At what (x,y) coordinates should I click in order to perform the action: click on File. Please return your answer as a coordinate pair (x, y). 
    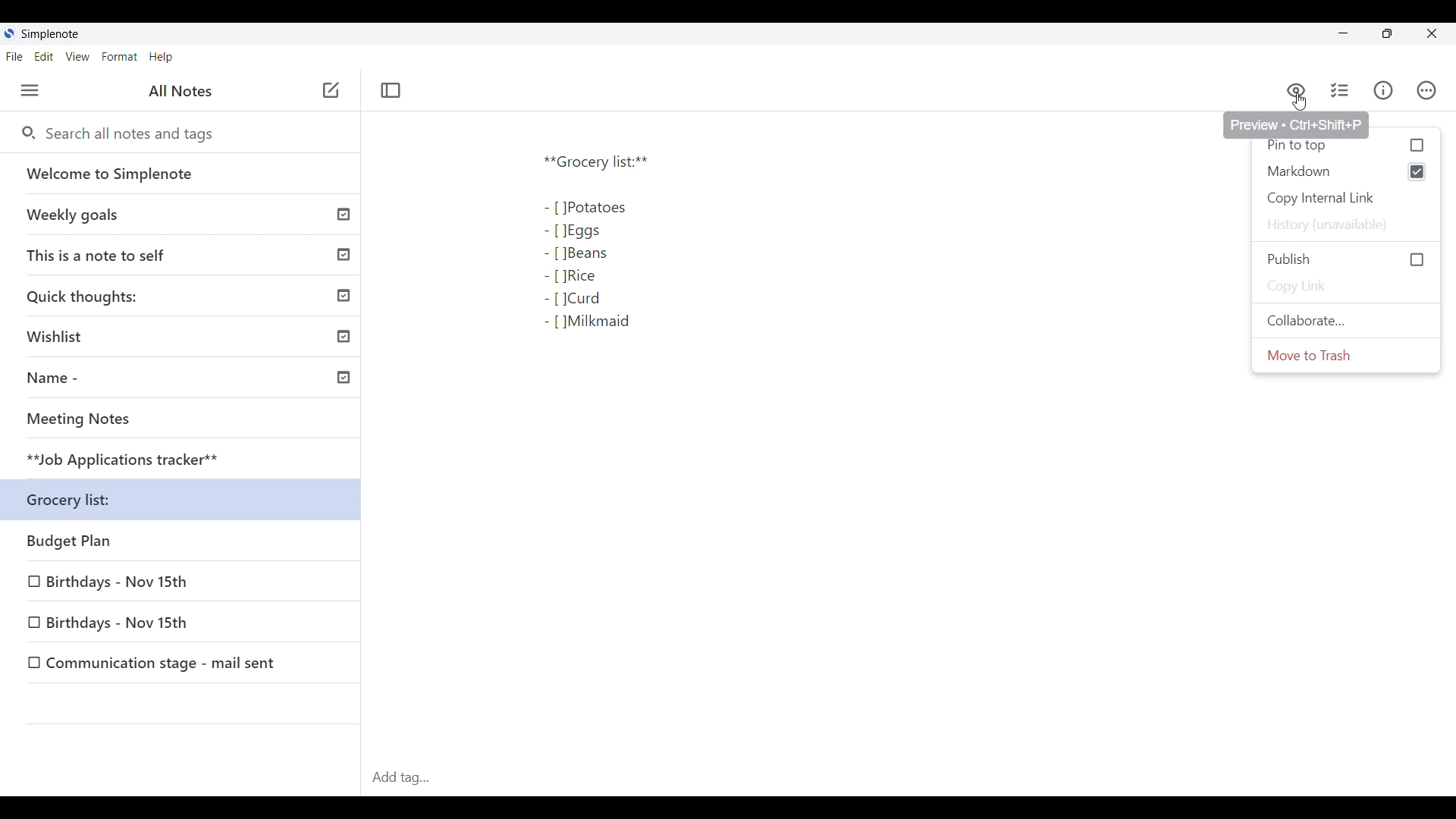
    Looking at the image, I should click on (14, 56).